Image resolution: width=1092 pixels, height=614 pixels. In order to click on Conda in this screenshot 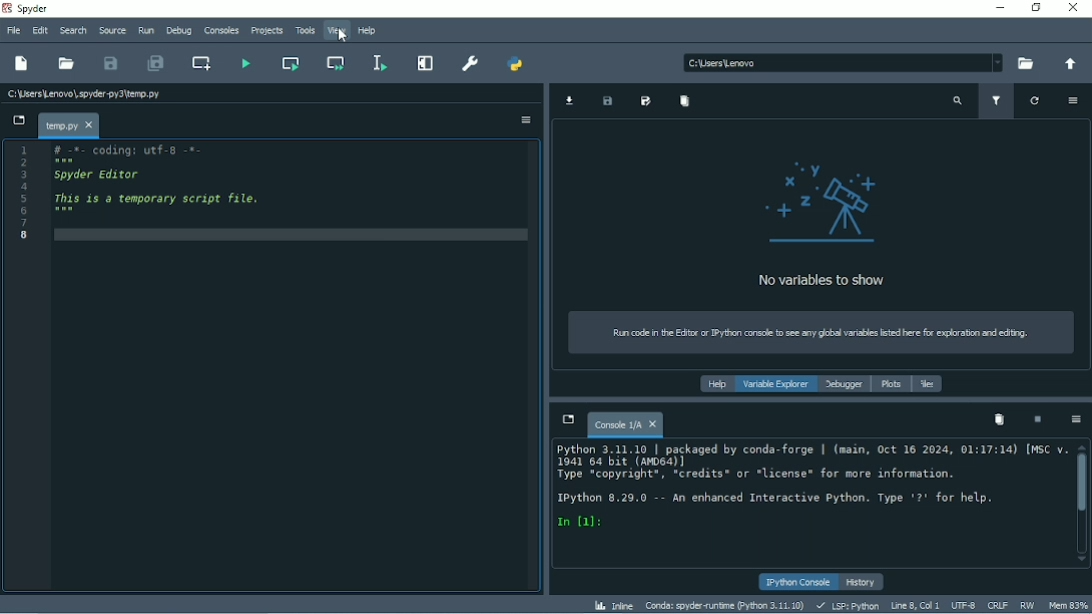, I will do `click(725, 605)`.